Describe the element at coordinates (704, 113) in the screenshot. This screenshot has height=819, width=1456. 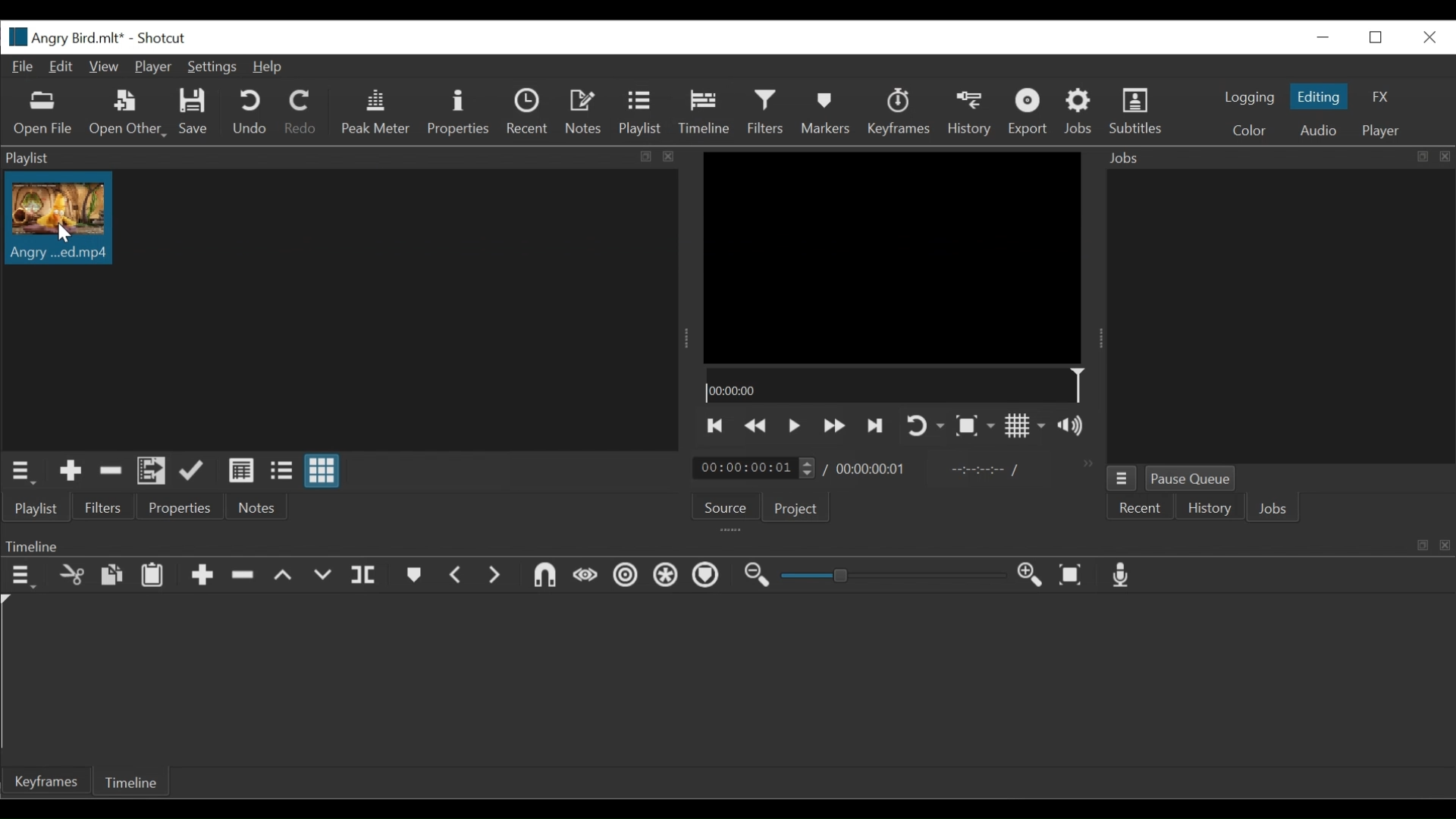
I see `Timeline` at that location.